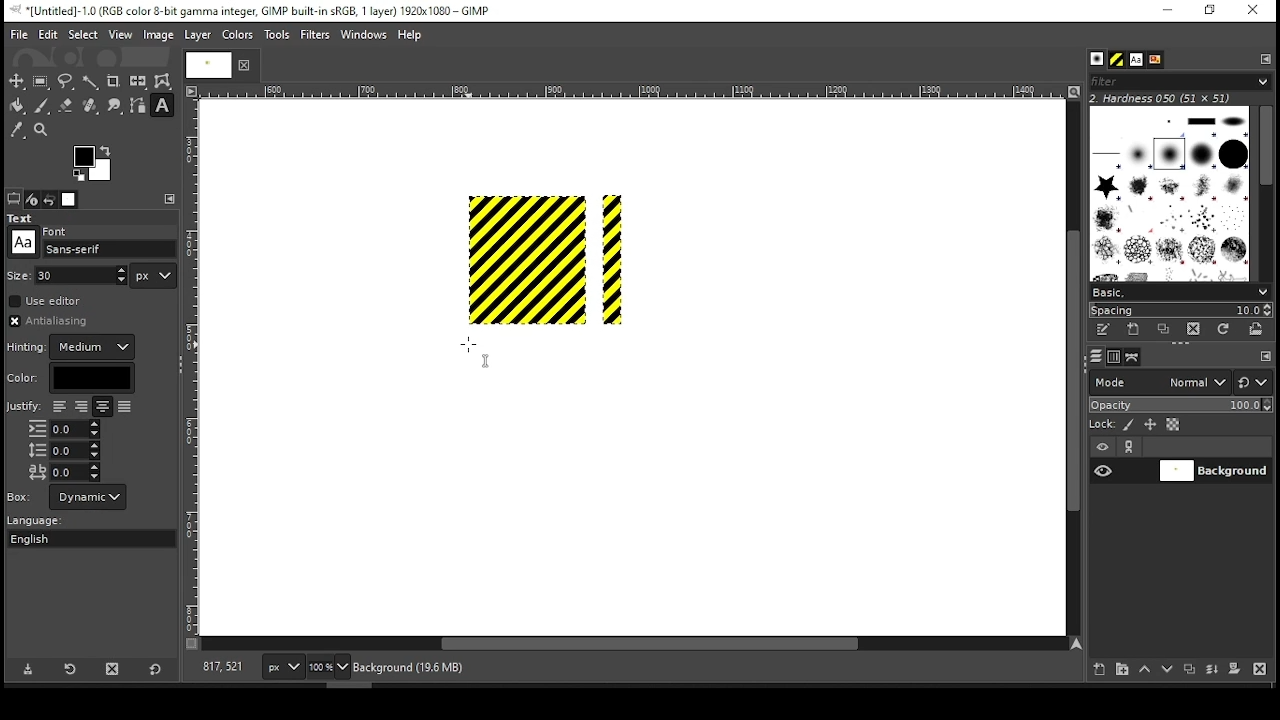  Describe the element at coordinates (172, 199) in the screenshot. I see `configure this tab` at that location.